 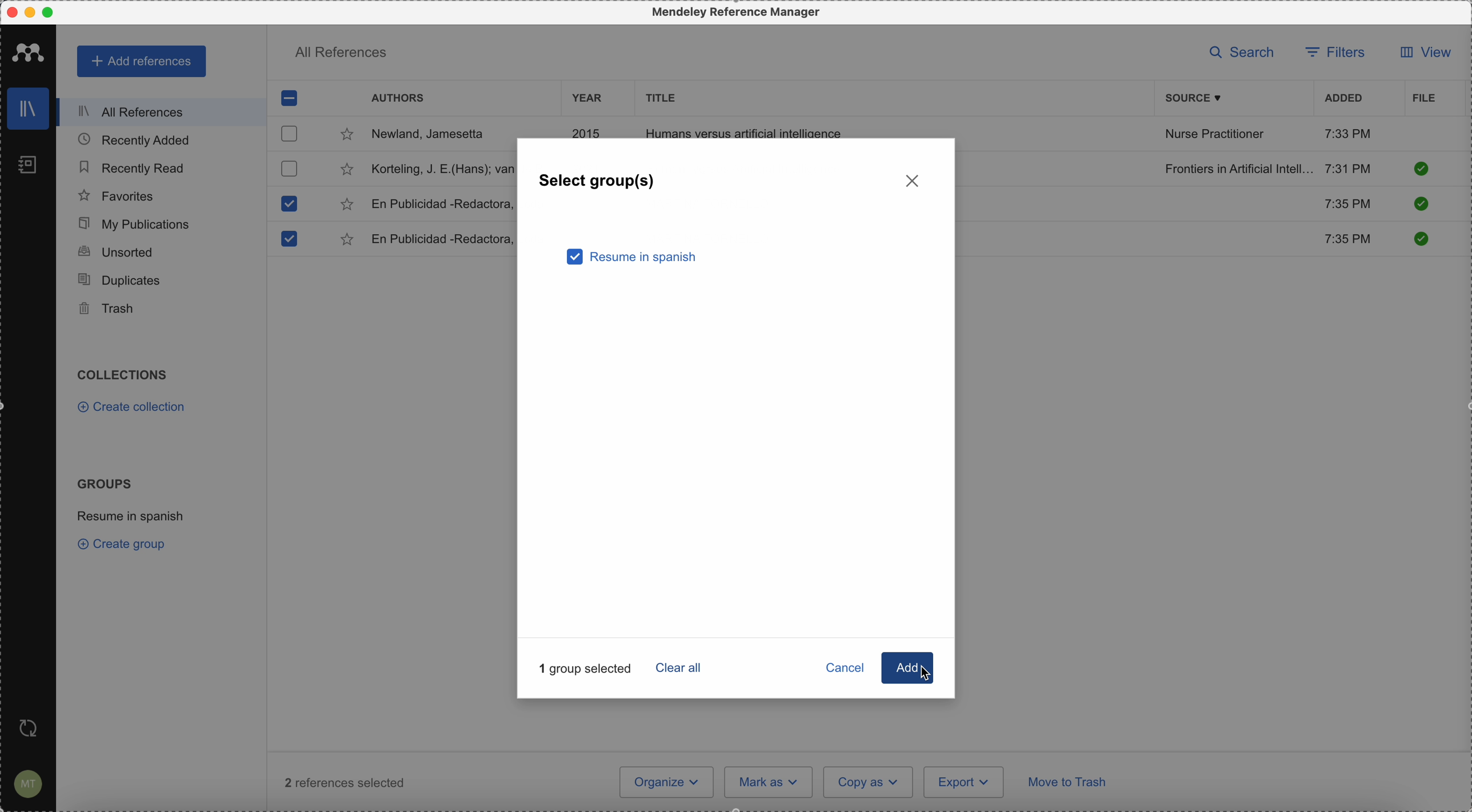 I want to click on Newland, Jamesetta, so click(x=434, y=135).